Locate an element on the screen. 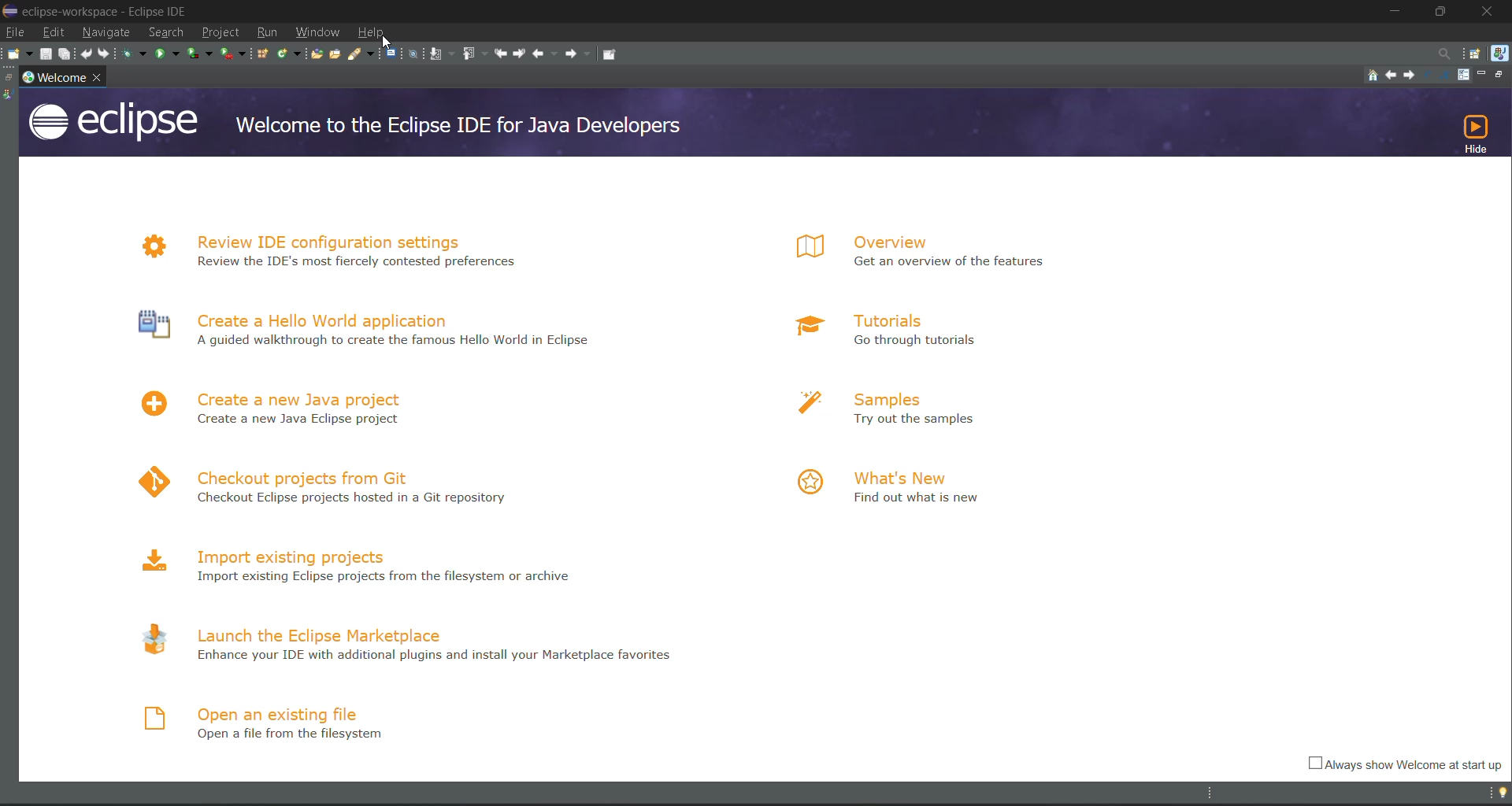 Image resolution: width=1512 pixels, height=806 pixels. previous topic is located at coordinates (1392, 75).